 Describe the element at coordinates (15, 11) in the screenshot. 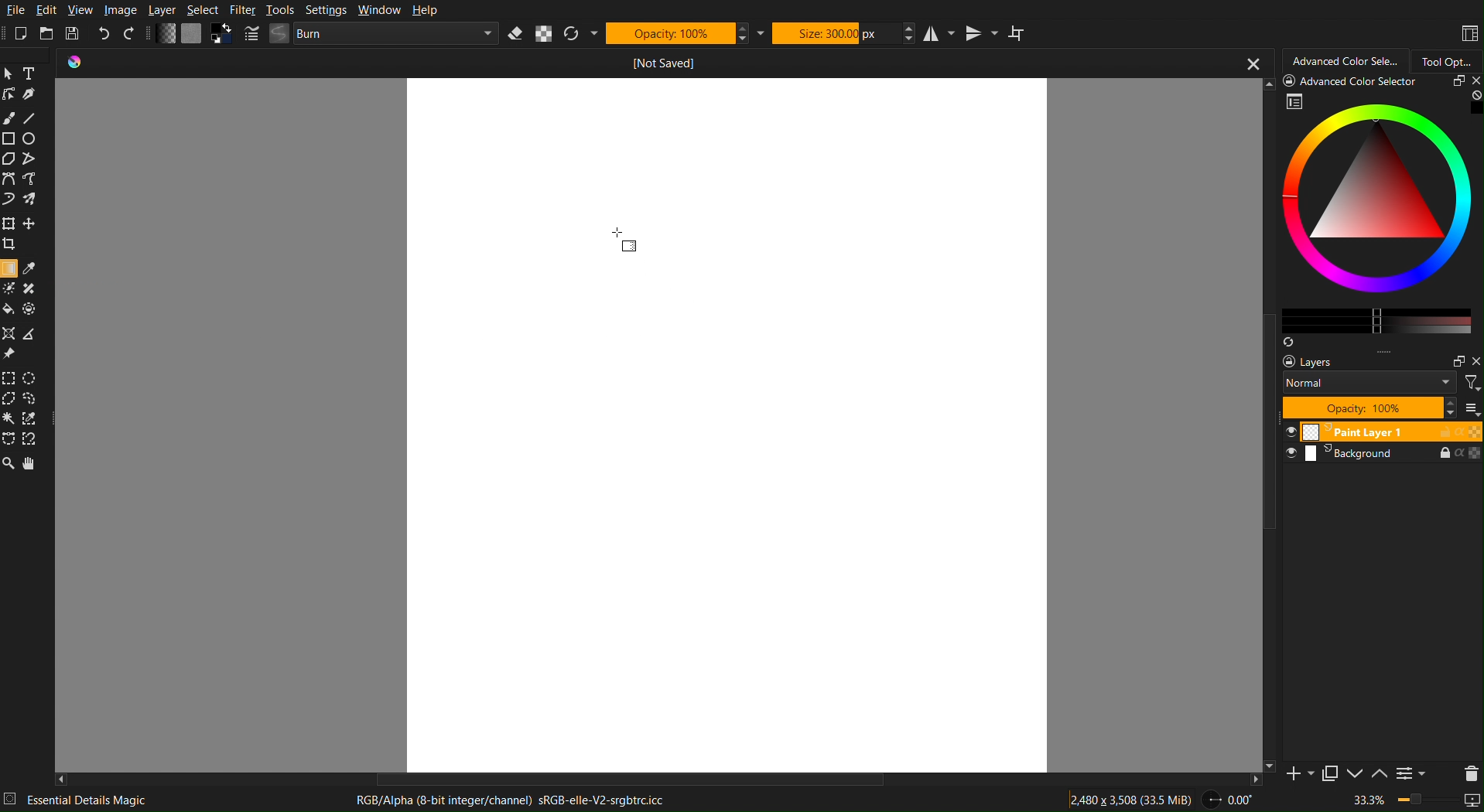

I see `File` at that location.